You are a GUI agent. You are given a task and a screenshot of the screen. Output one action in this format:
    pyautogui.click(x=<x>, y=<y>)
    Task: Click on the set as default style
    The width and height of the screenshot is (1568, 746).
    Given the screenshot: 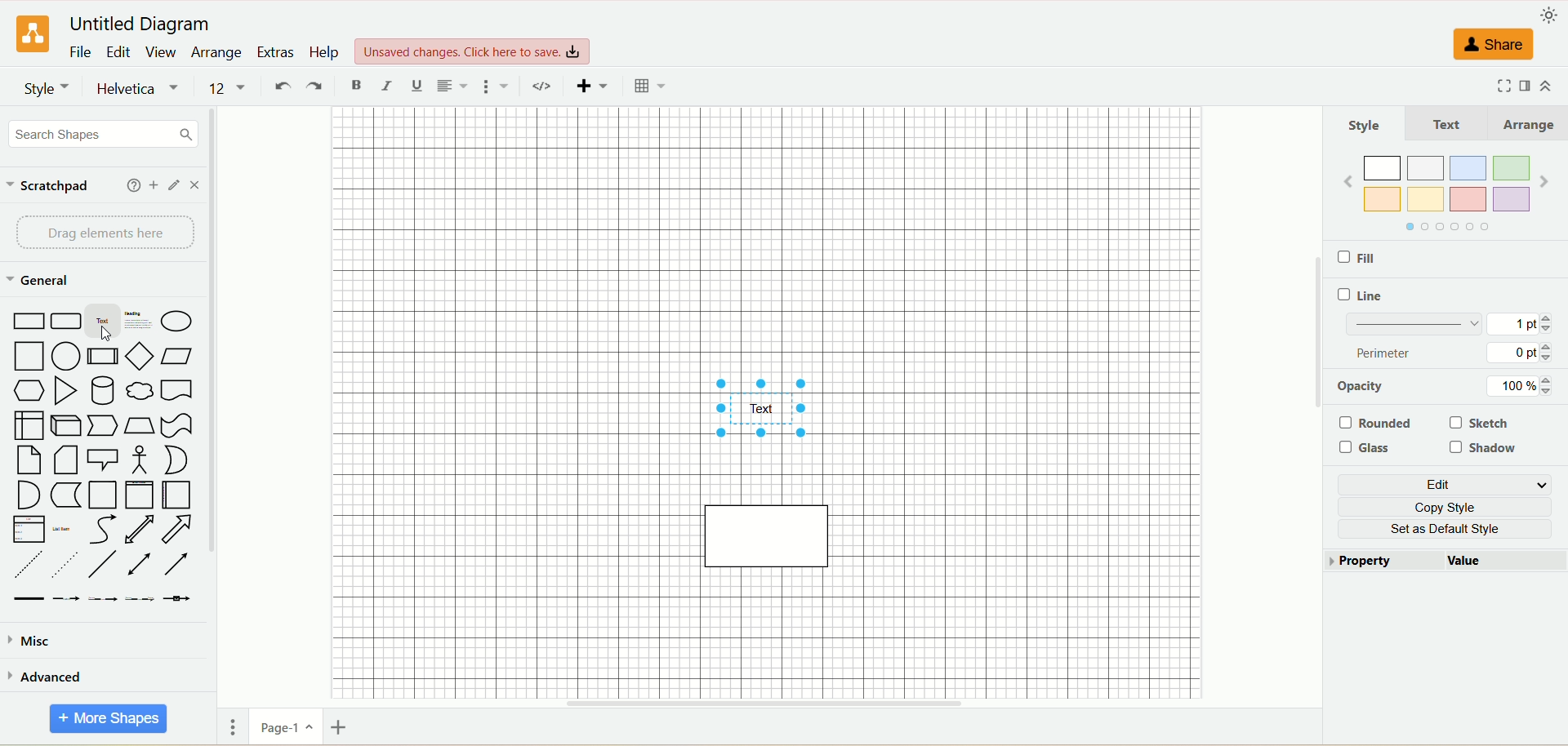 What is the action you would take?
    pyautogui.click(x=1450, y=529)
    